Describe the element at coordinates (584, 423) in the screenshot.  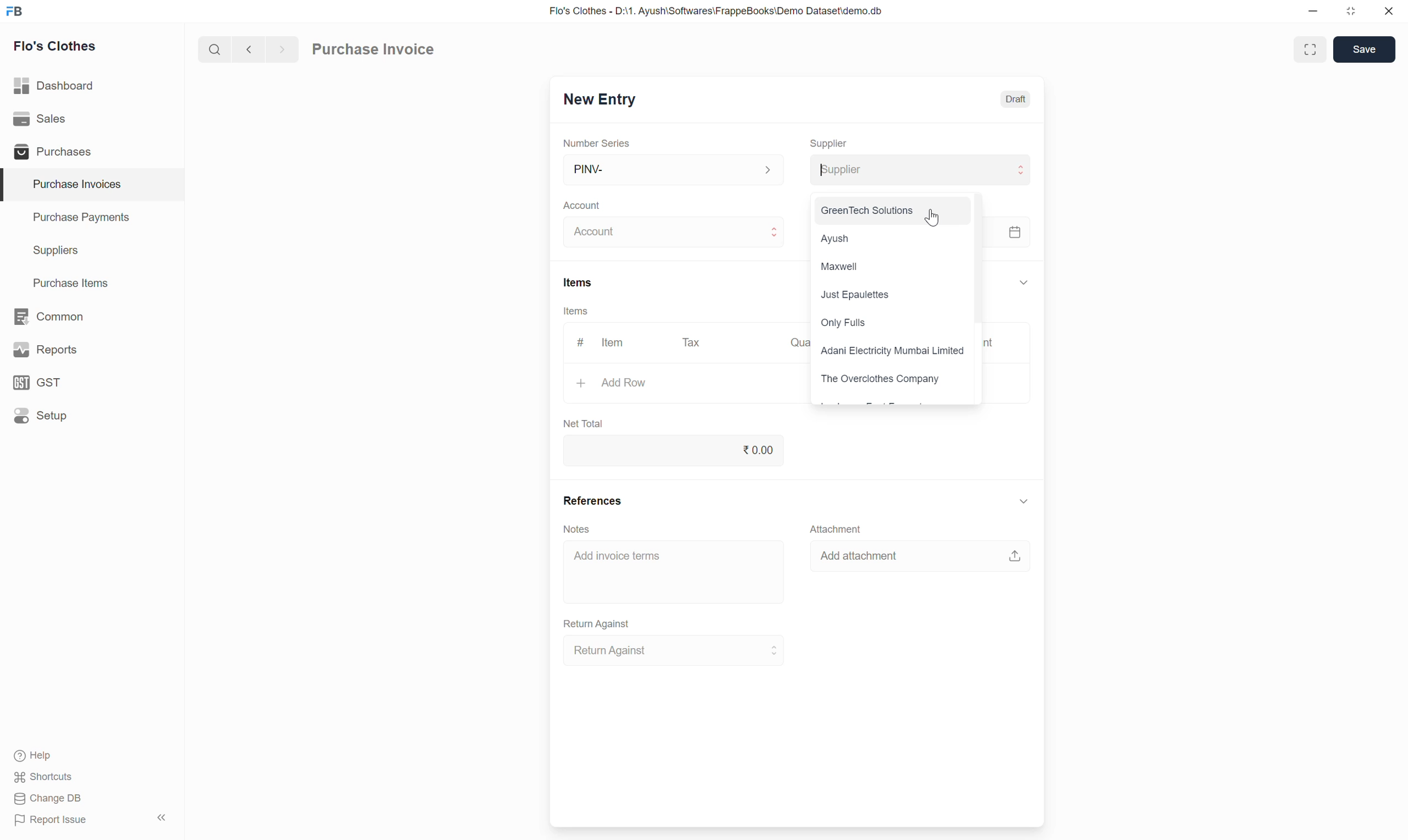
I see `Net Total` at that location.